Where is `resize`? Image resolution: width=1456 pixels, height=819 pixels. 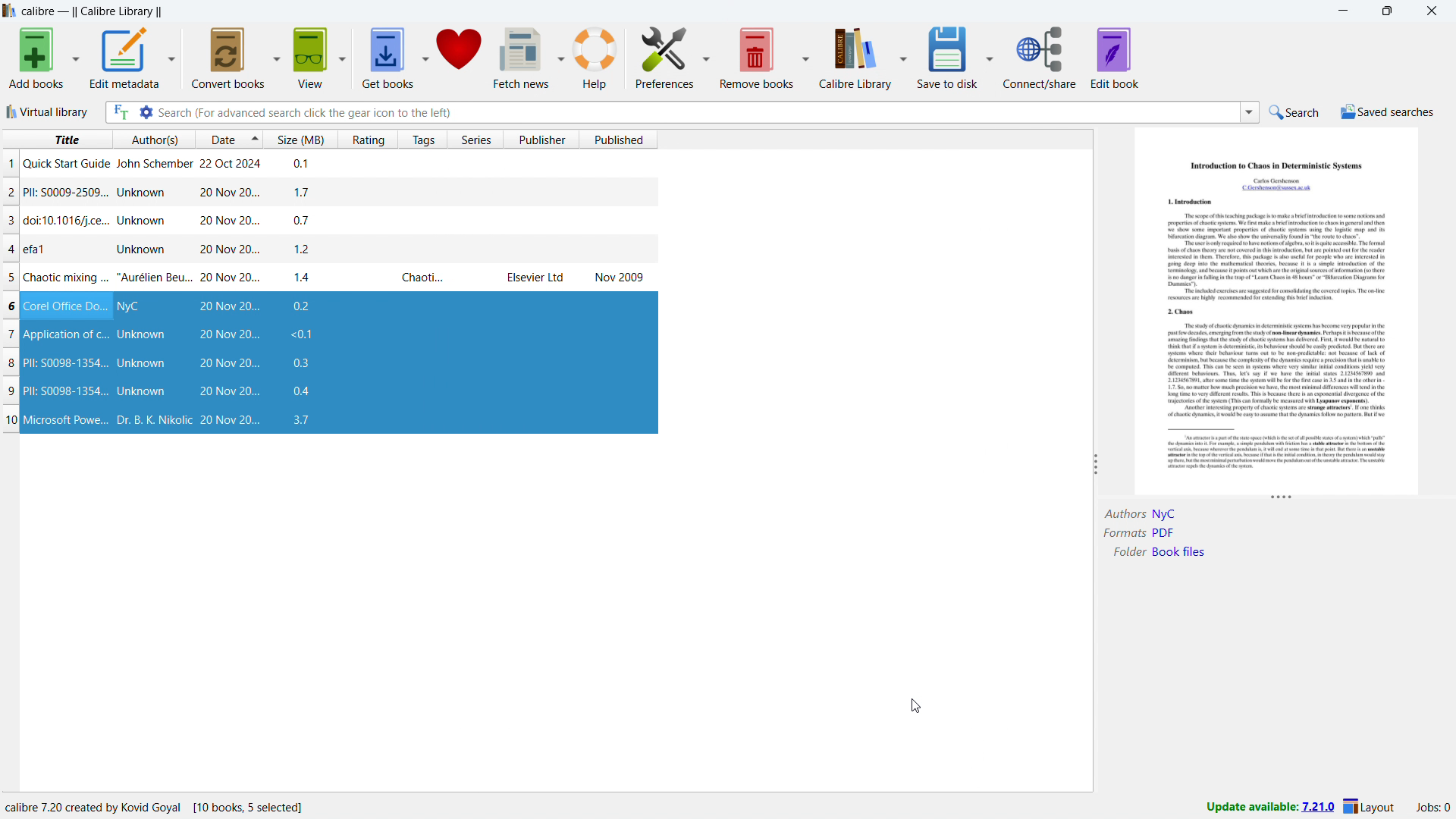 resize is located at coordinates (1094, 465).